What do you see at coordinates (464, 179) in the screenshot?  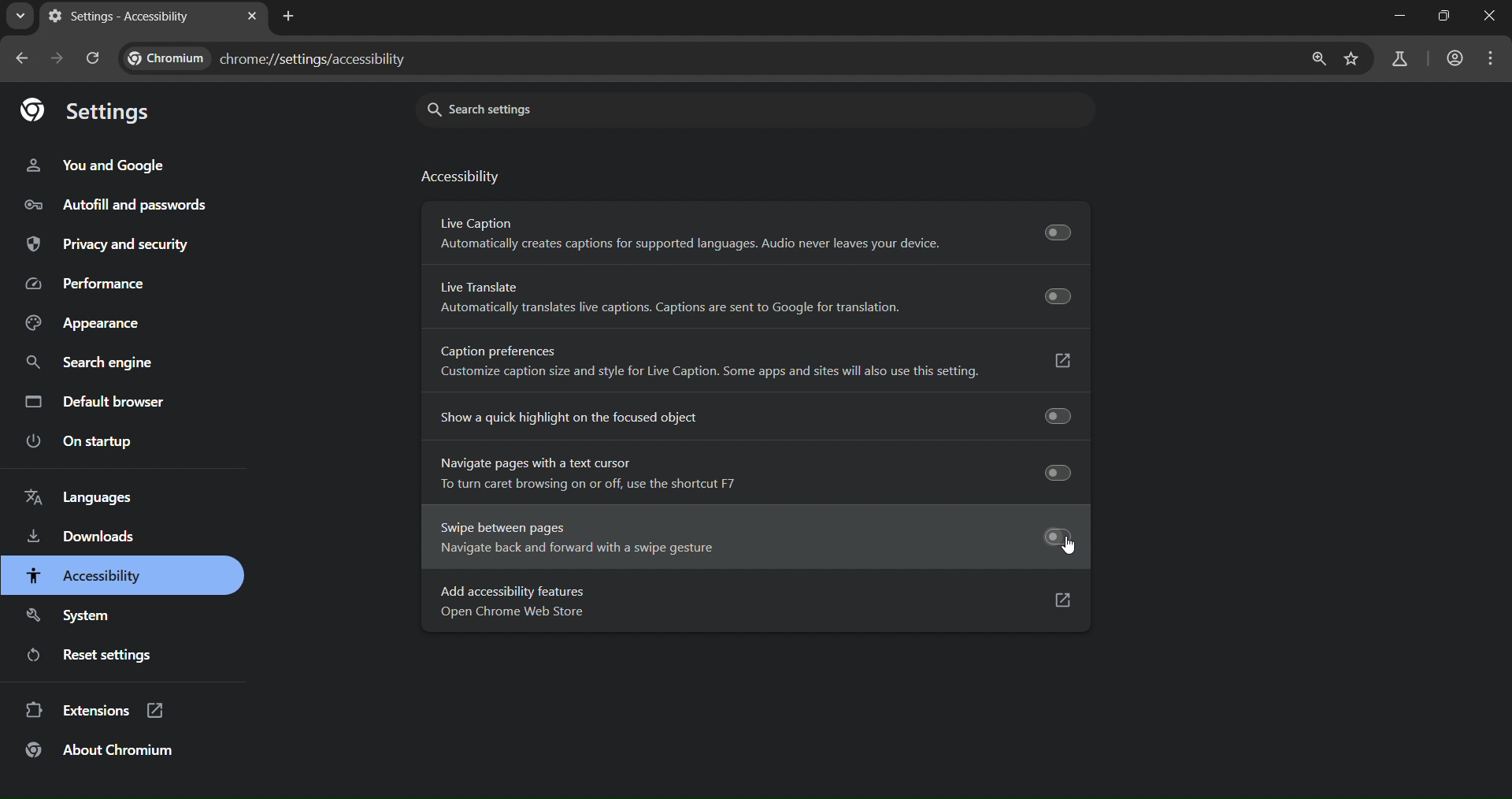 I see `accessibility` at bounding box center [464, 179].